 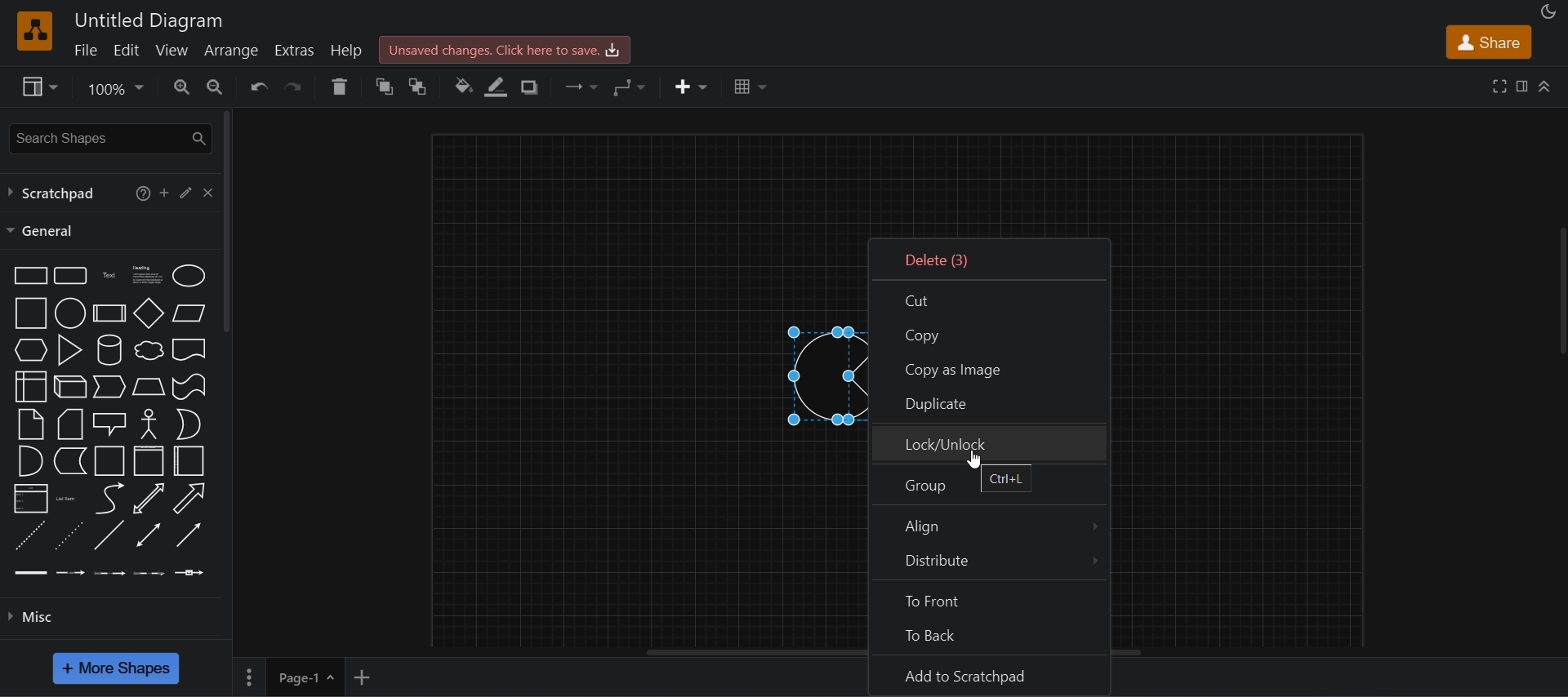 I want to click on Curve, so click(x=109, y=498).